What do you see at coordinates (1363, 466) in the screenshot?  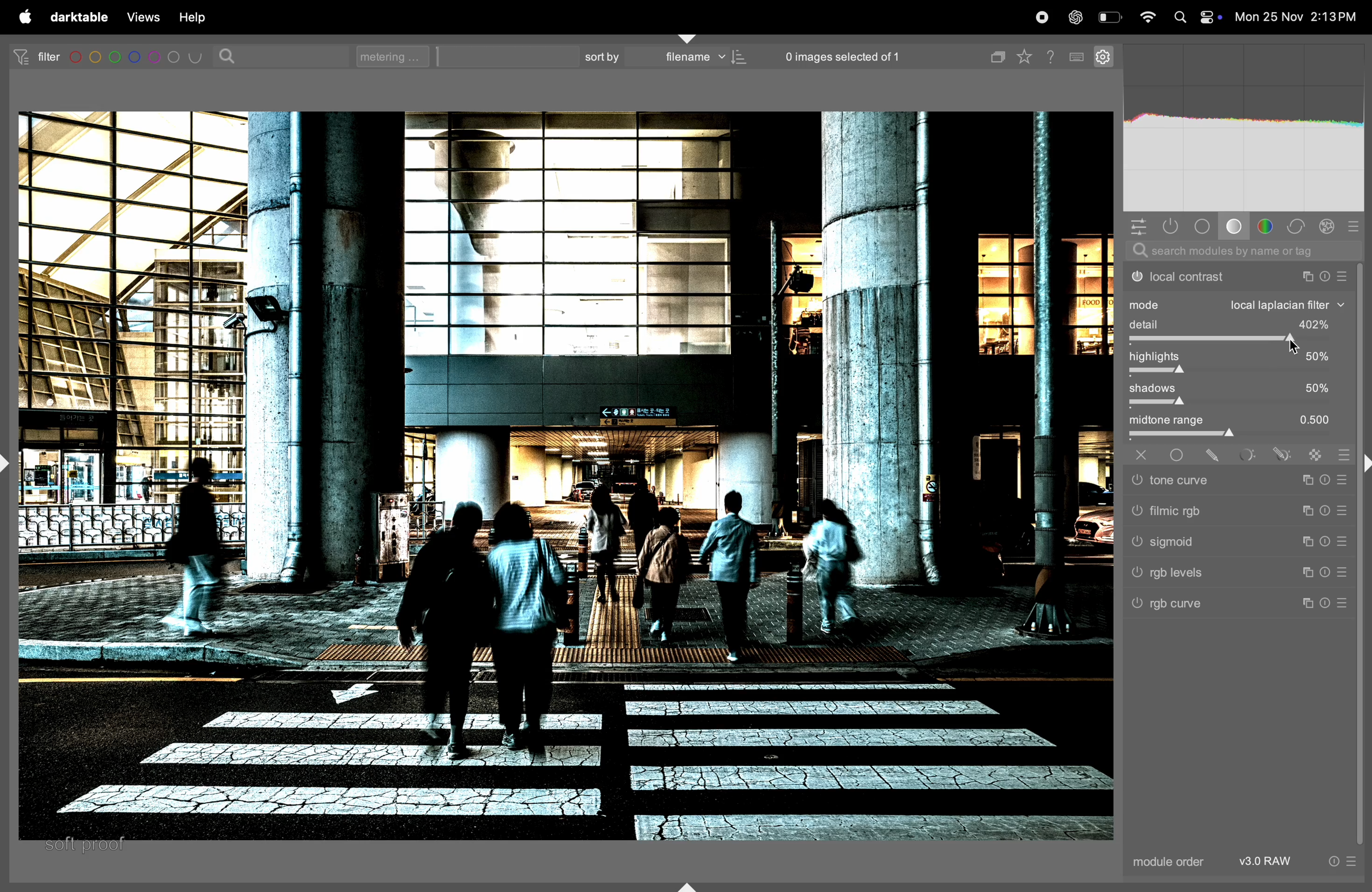 I see `shift+ctrl+r` at bounding box center [1363, 466].